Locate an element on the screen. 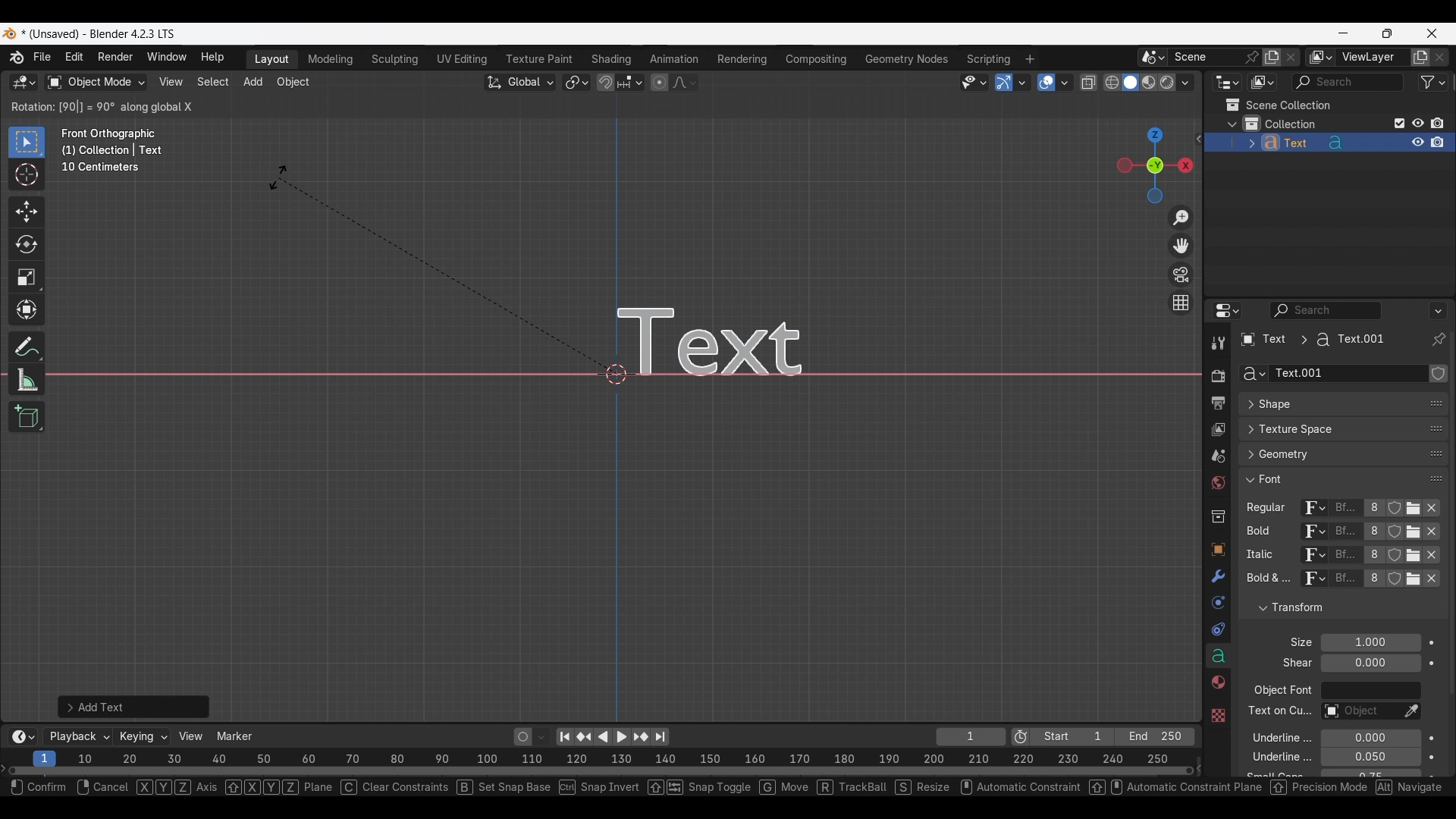 This screenshot has height=819, width=1456. Add menu highlighted as current selection is located at coordinates (253, 83).